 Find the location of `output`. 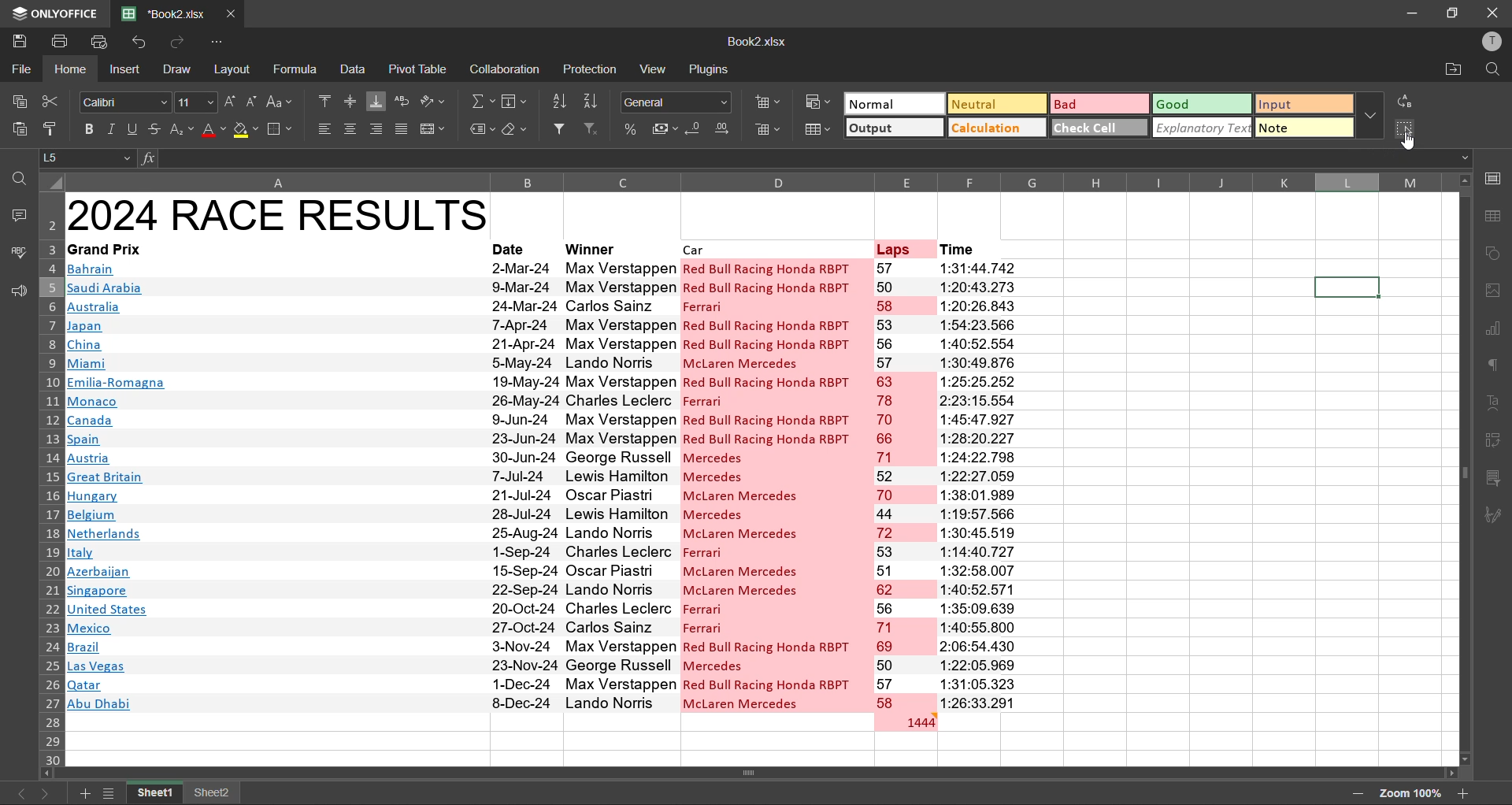

output is located at coordinates (896, 128).